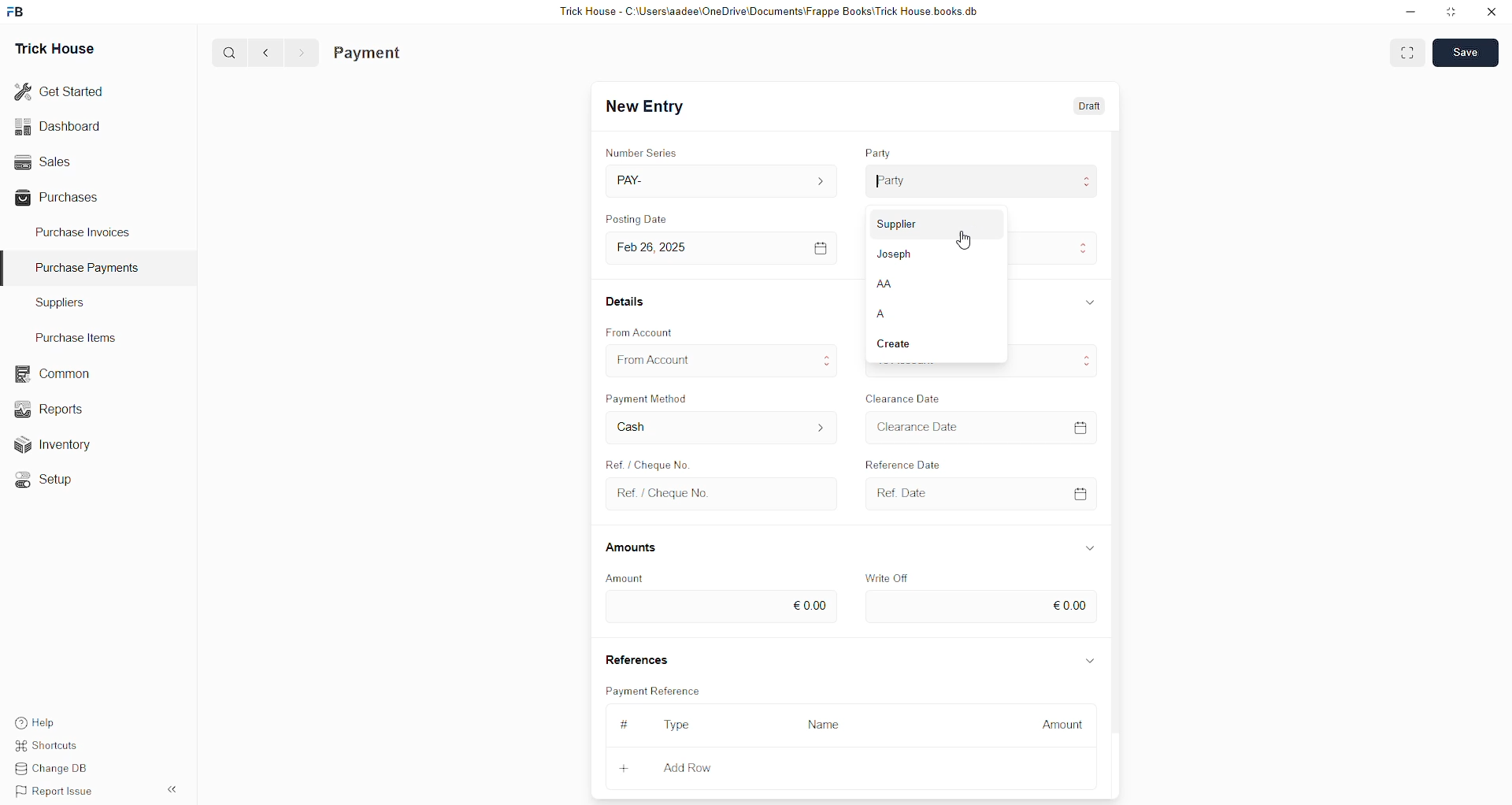 This screenshot has width=1512, height=805. I want to click on From Account, so click(723, 360).